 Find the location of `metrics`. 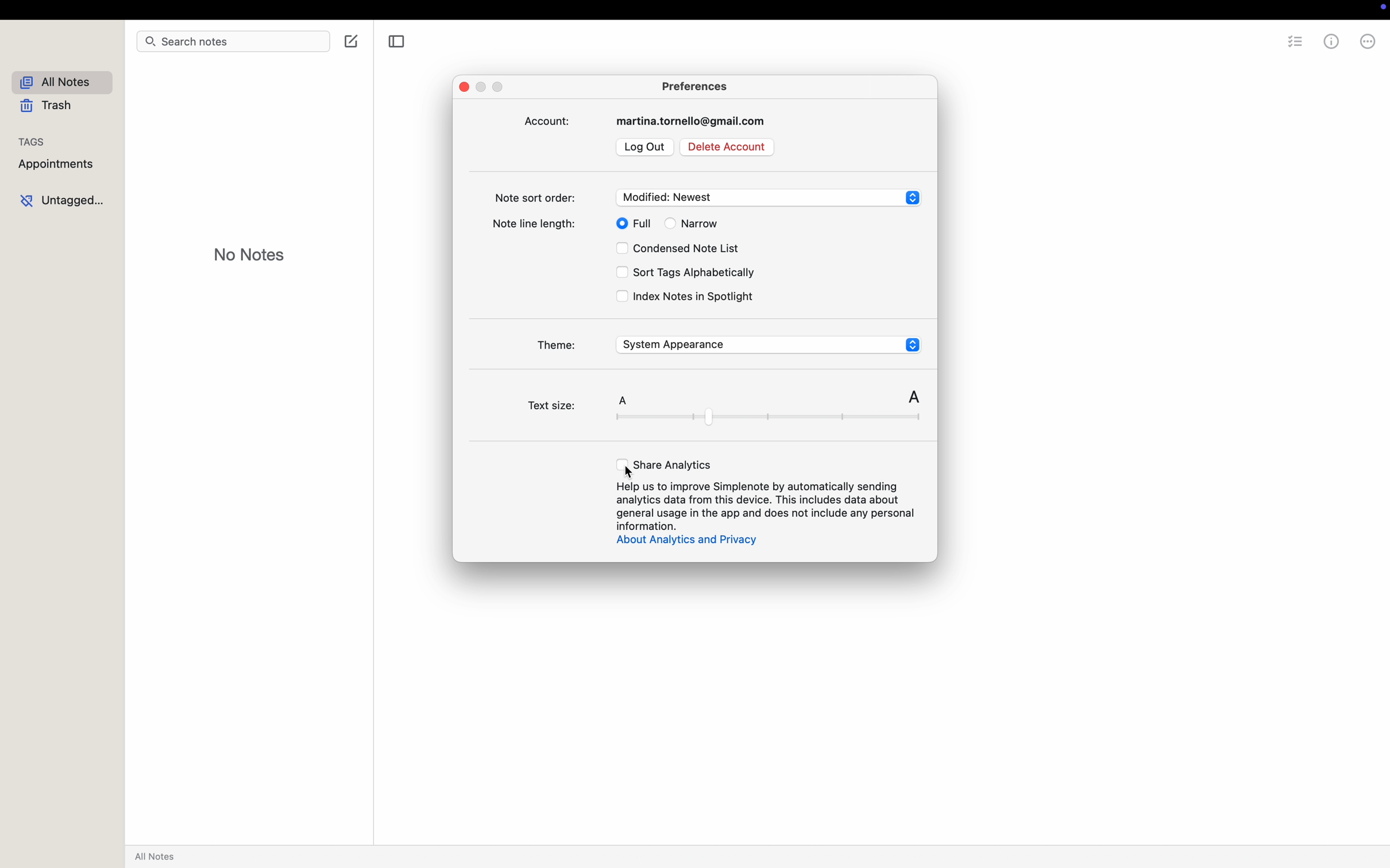

metrics is located at coordinates (1331, 44).